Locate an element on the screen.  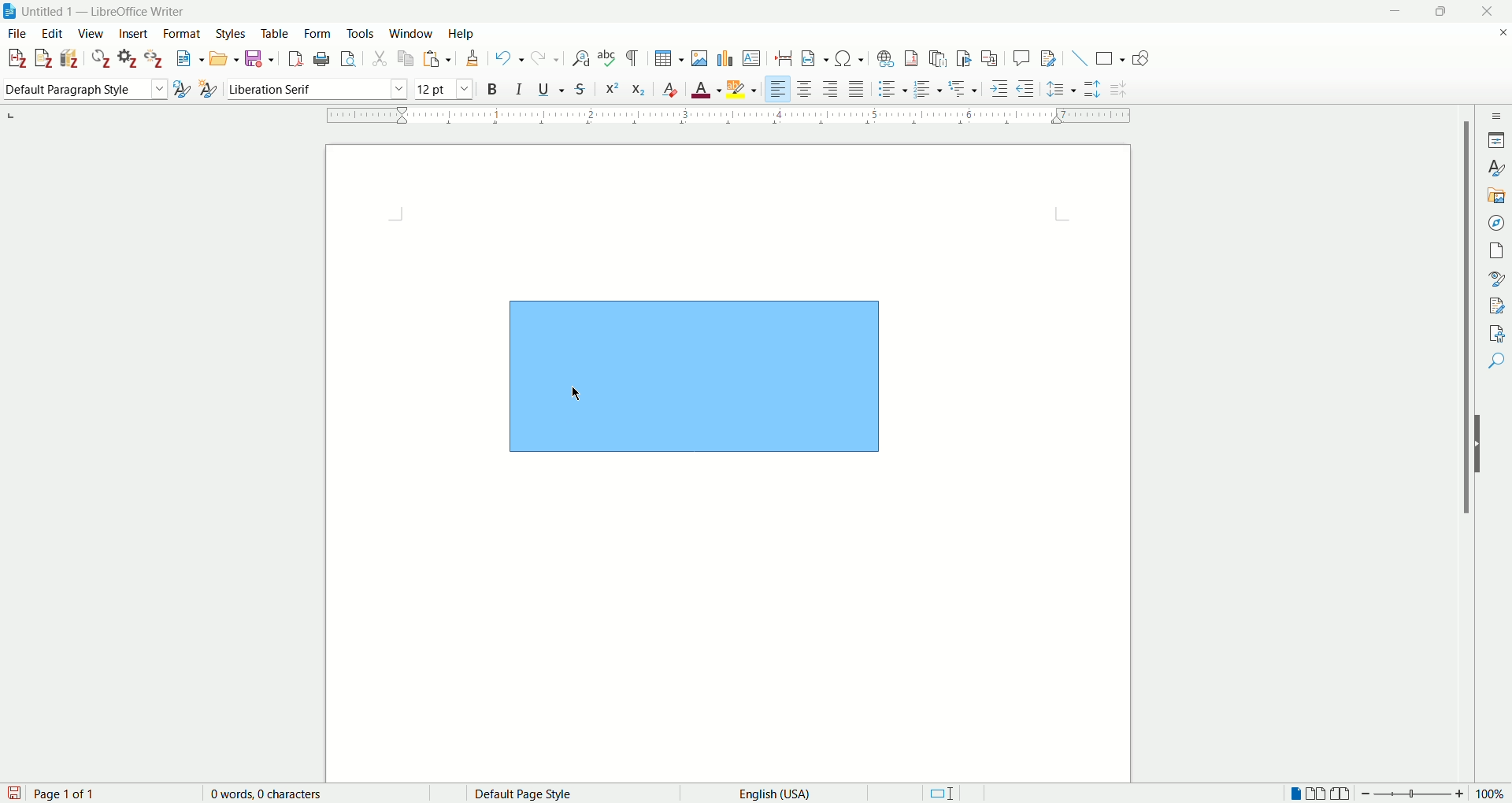
gallery is located at coordinates (1493, 192).